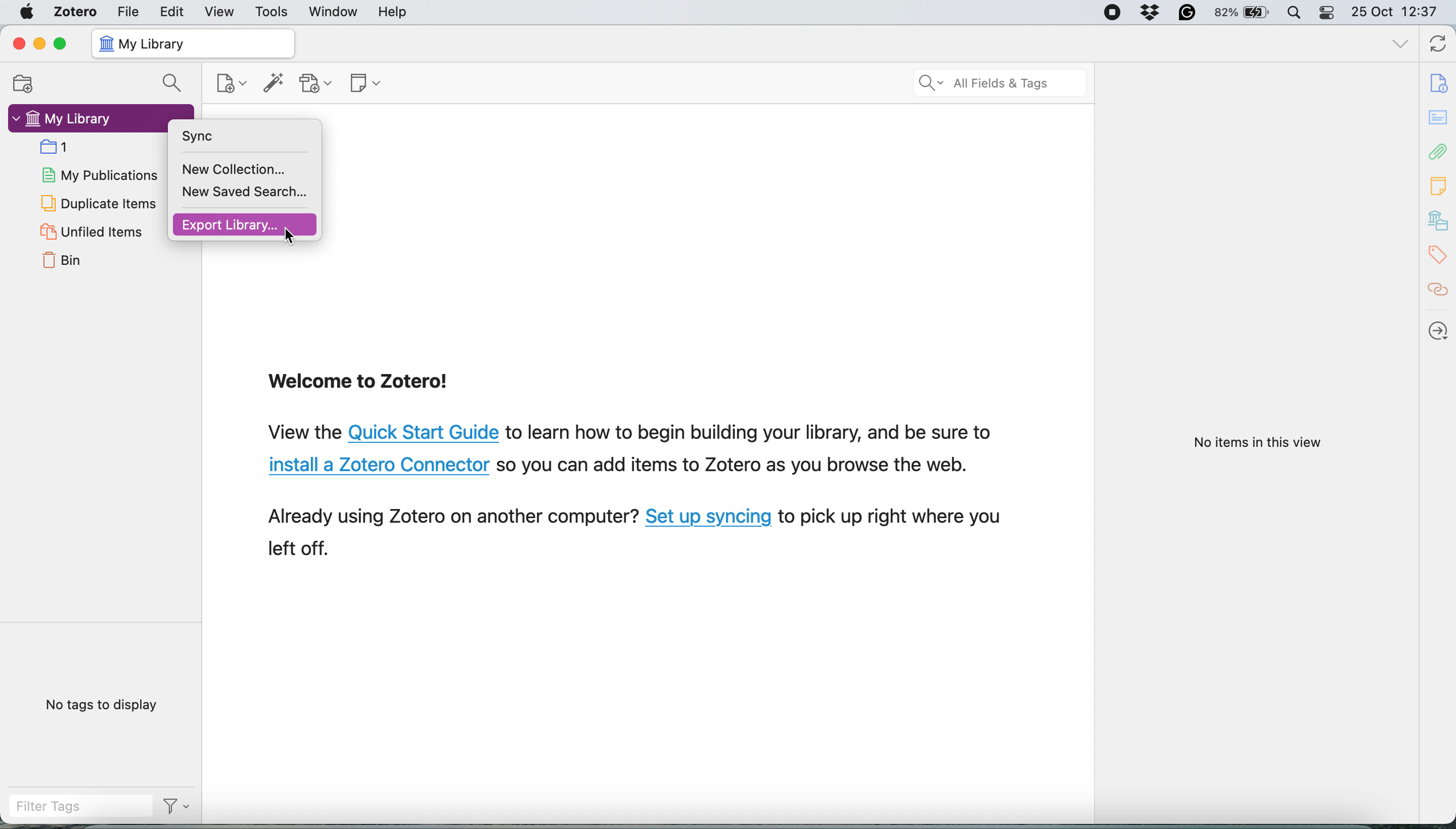 This screenshot has width=1456, height=829. I want to click on window, so click(336, 12).